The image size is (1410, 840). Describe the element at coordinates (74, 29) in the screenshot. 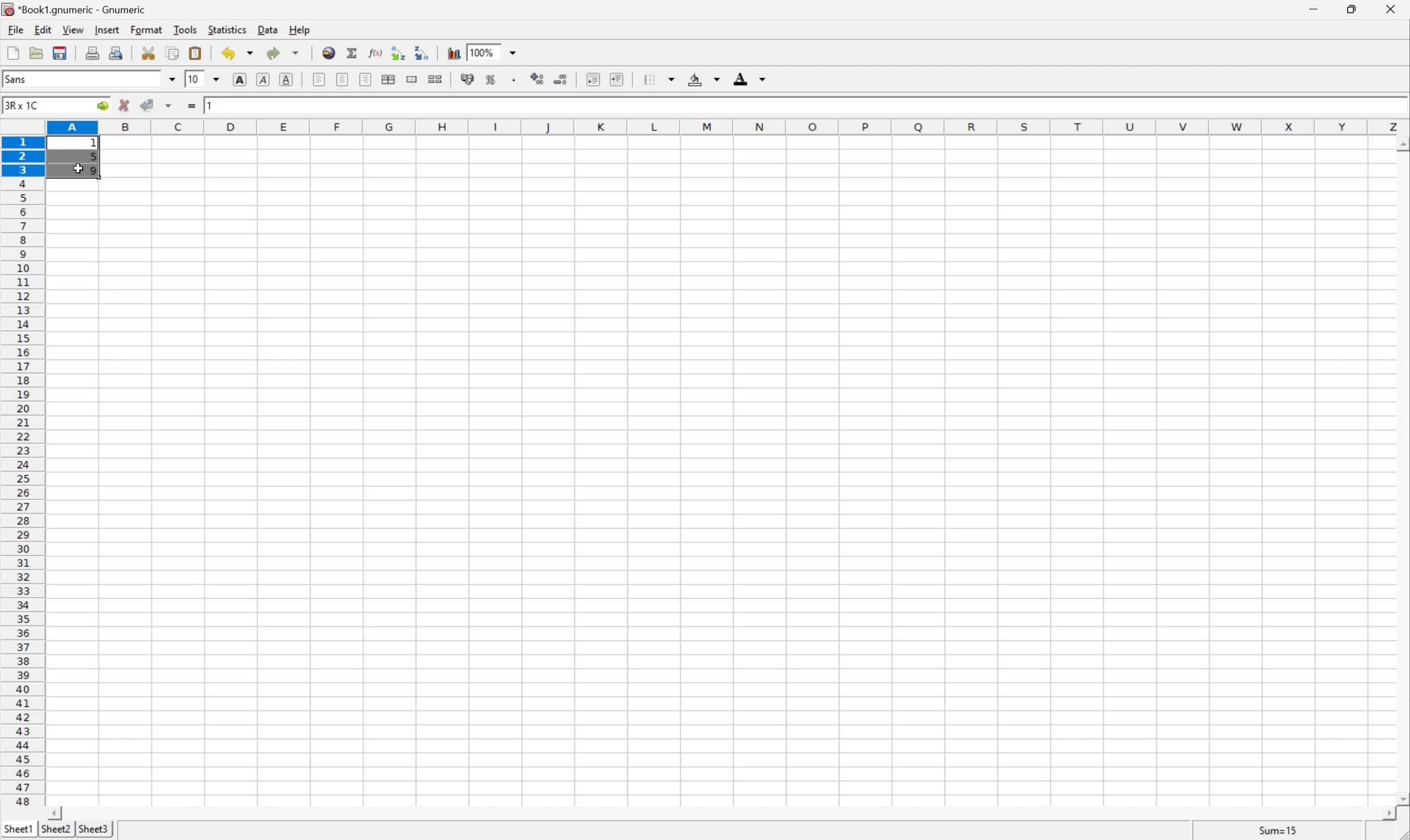

I see `view` at that location.